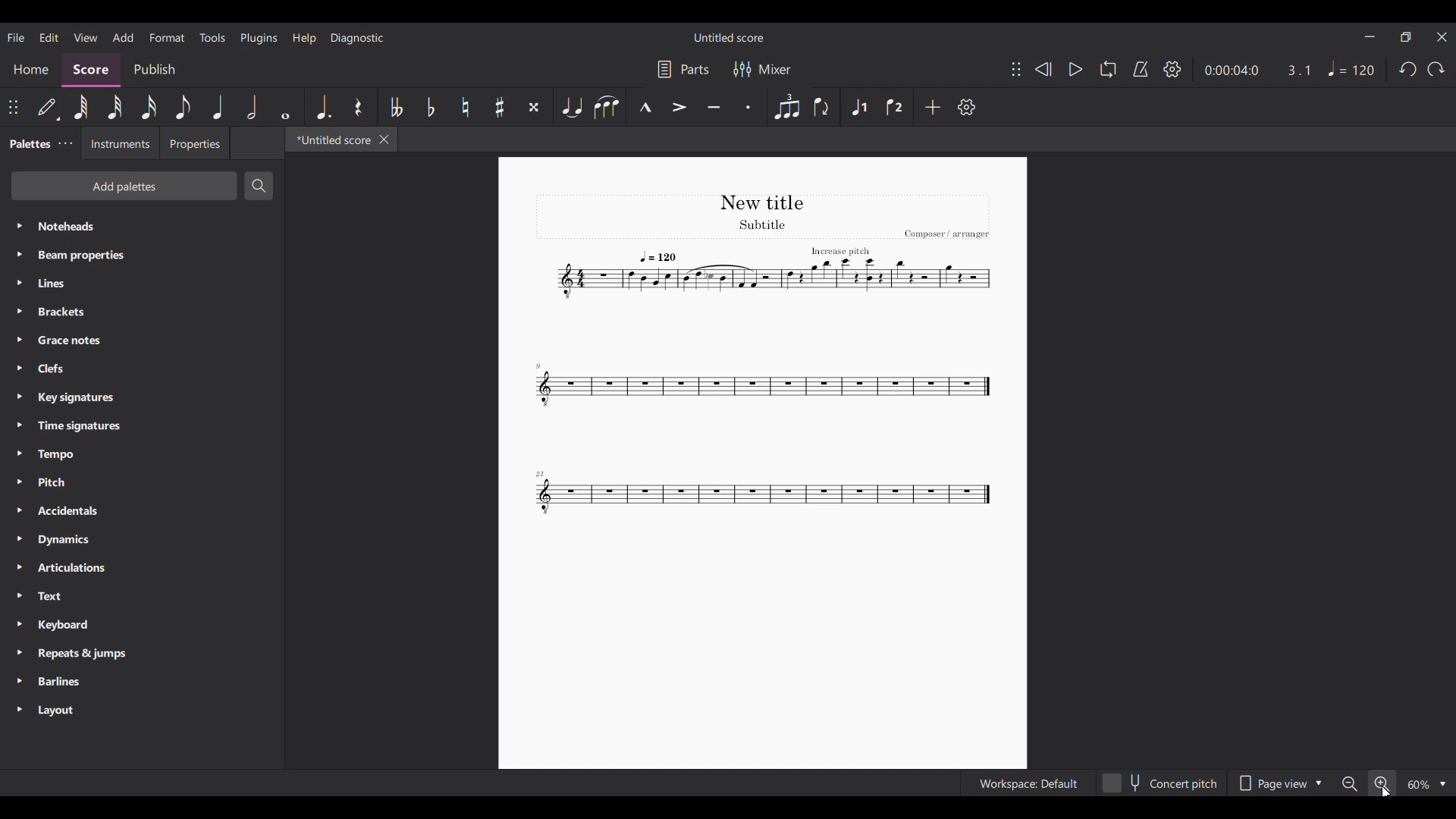  Describe the element at coordinates (933, 106) in the screenshot. I see `Add` at that location.